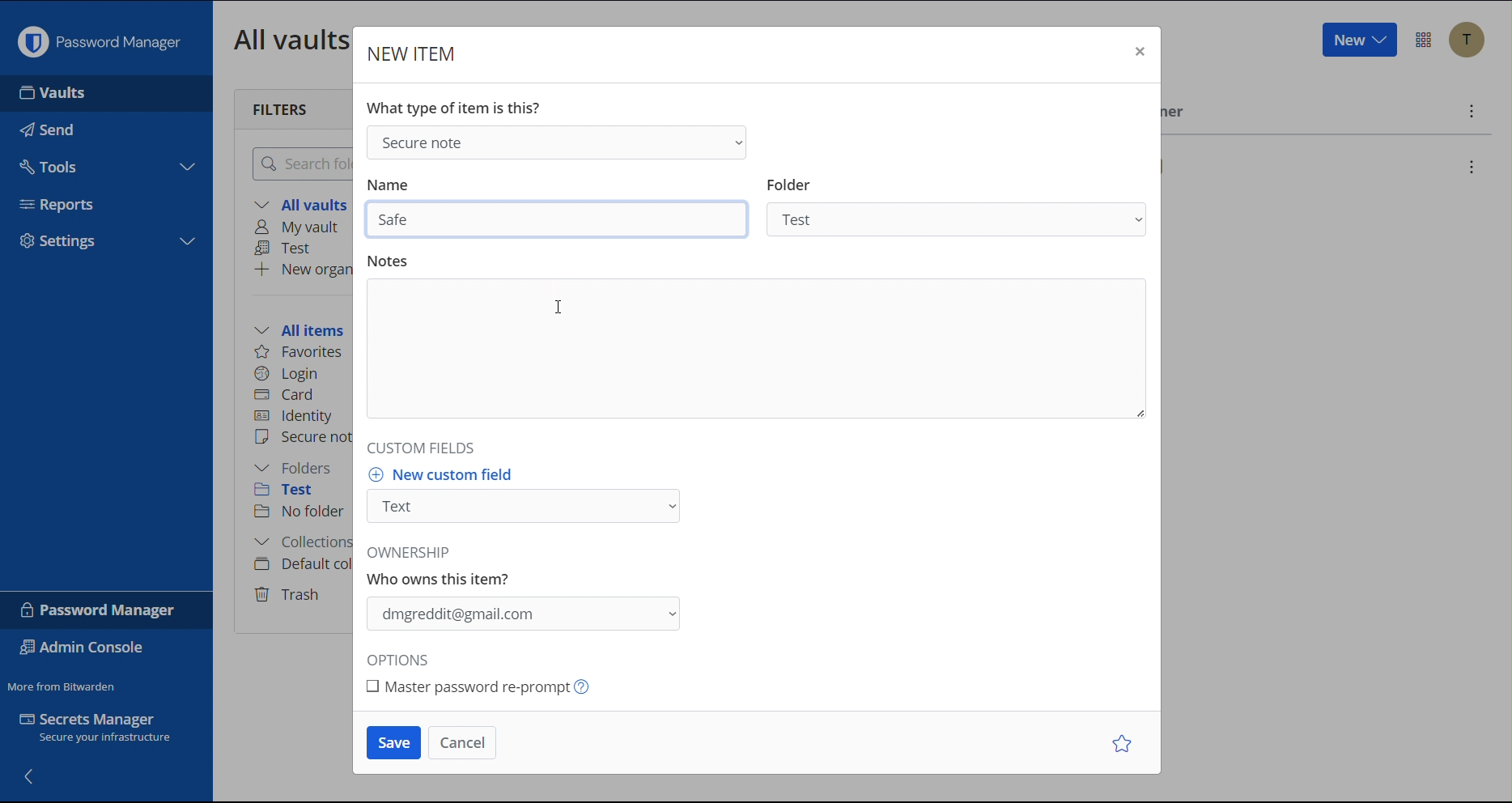 Image resolution: width=1512 pixels, height=803 pixels. What do you see at coordinates (1469, 111) in the screenshot?
I see `More` at bounding box center [1469, 111].